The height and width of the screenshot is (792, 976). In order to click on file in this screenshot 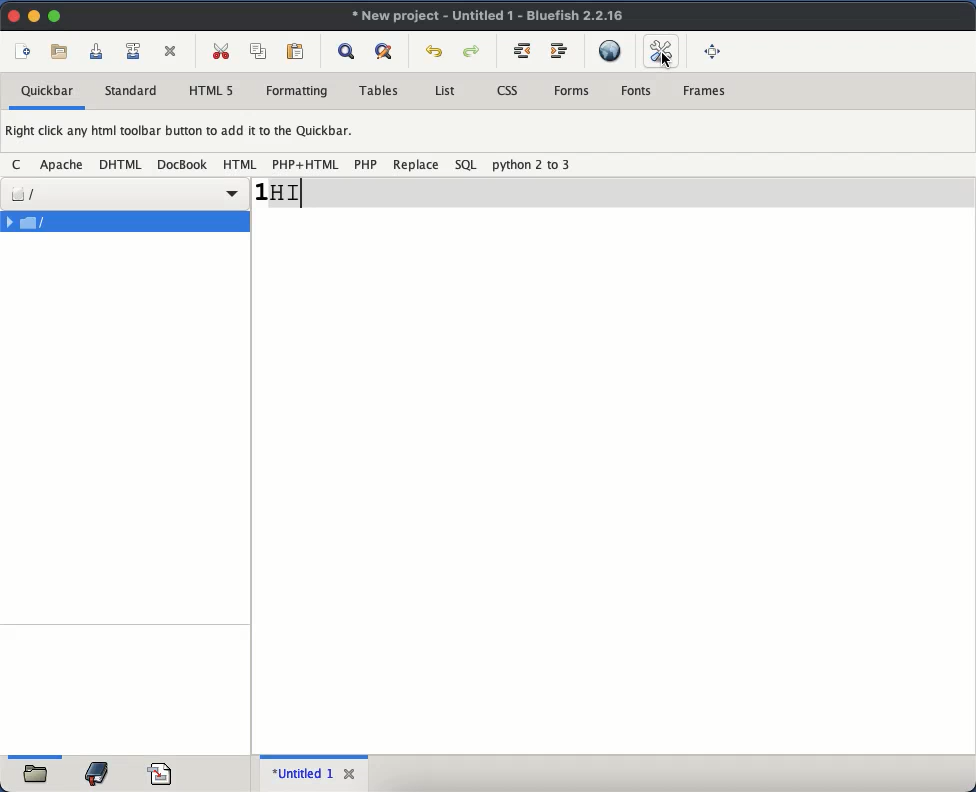, I will do `click(124, 195)`.